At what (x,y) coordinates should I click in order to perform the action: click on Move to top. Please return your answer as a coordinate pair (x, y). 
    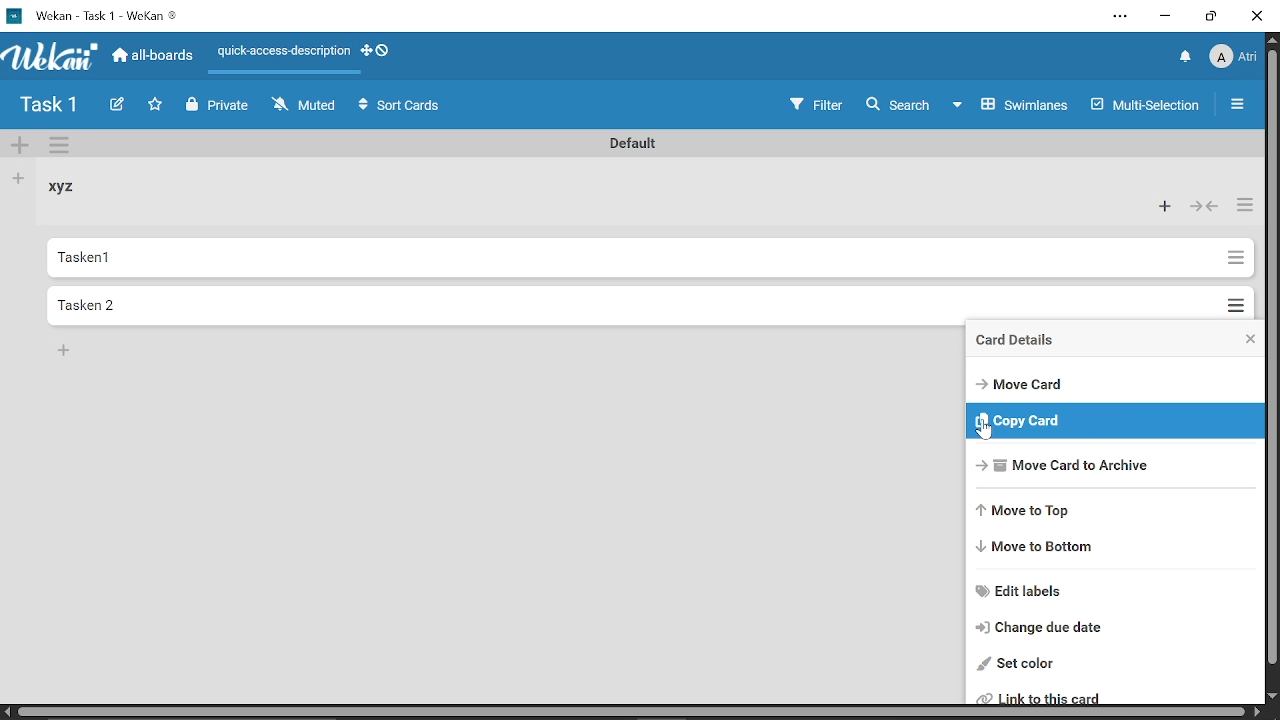
    Looking at the image, I should click on (1117, 510).